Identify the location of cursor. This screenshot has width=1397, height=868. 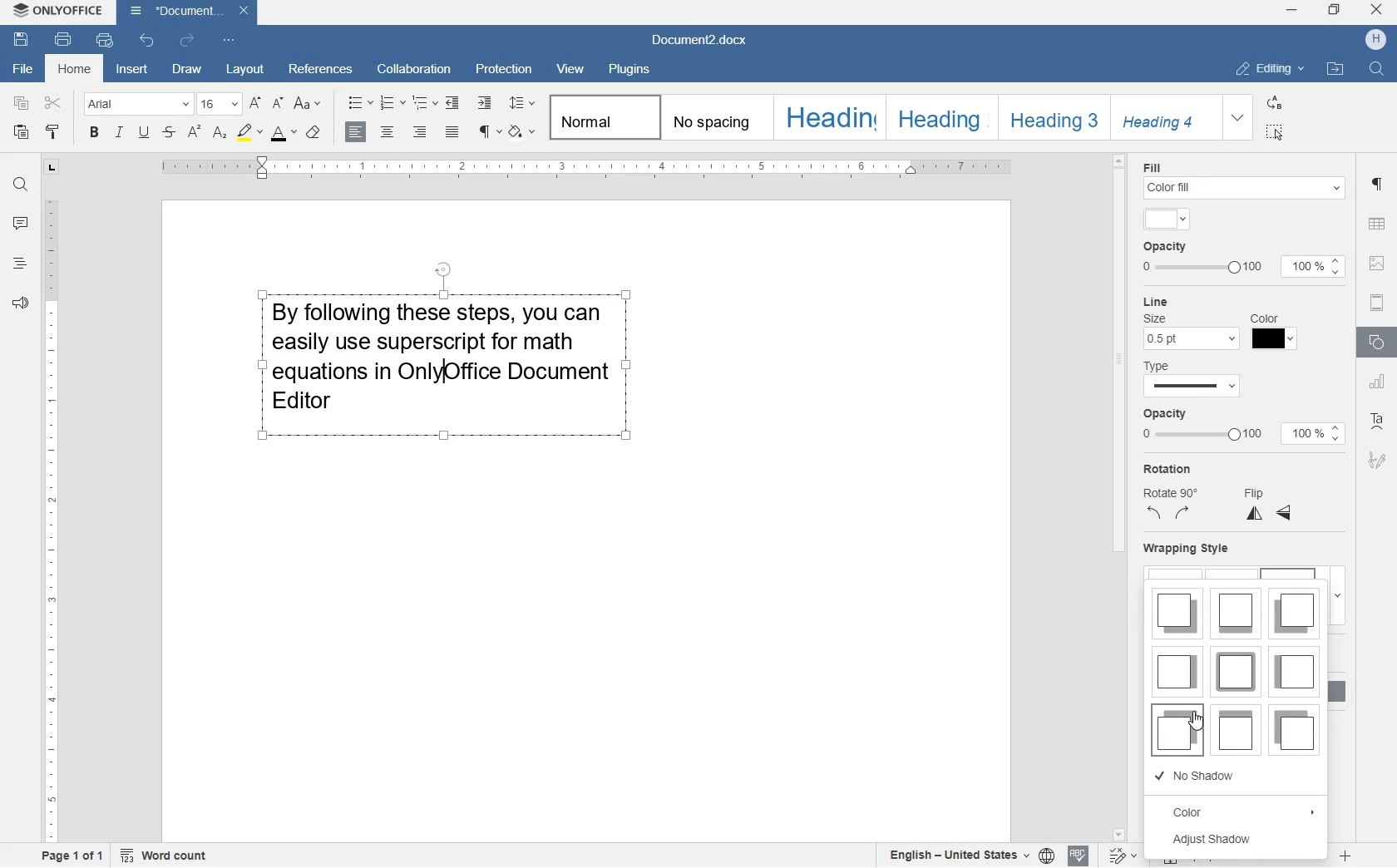
(1196, 723).